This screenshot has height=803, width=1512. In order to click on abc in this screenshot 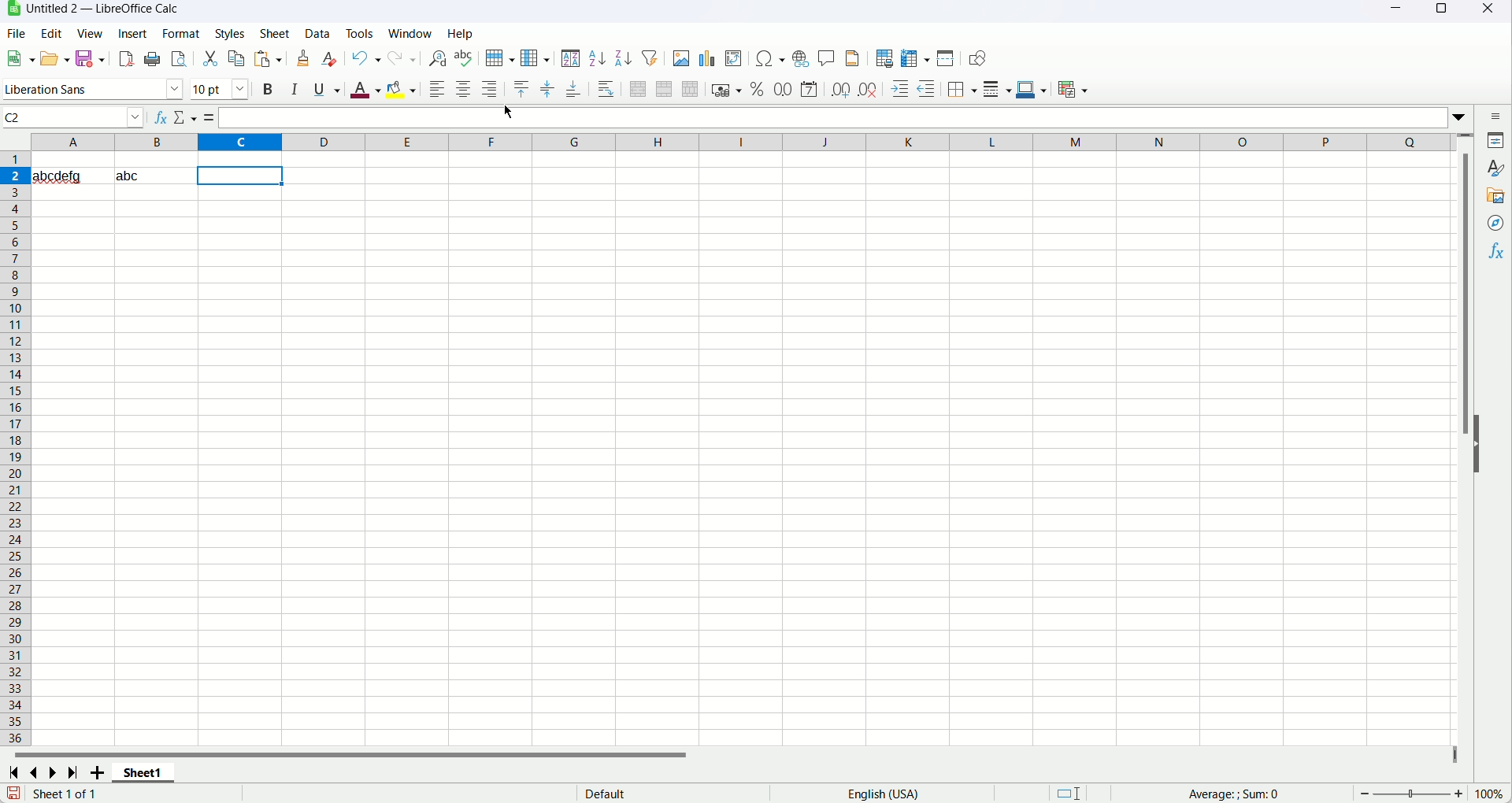, I will do `click(153, 176)`.